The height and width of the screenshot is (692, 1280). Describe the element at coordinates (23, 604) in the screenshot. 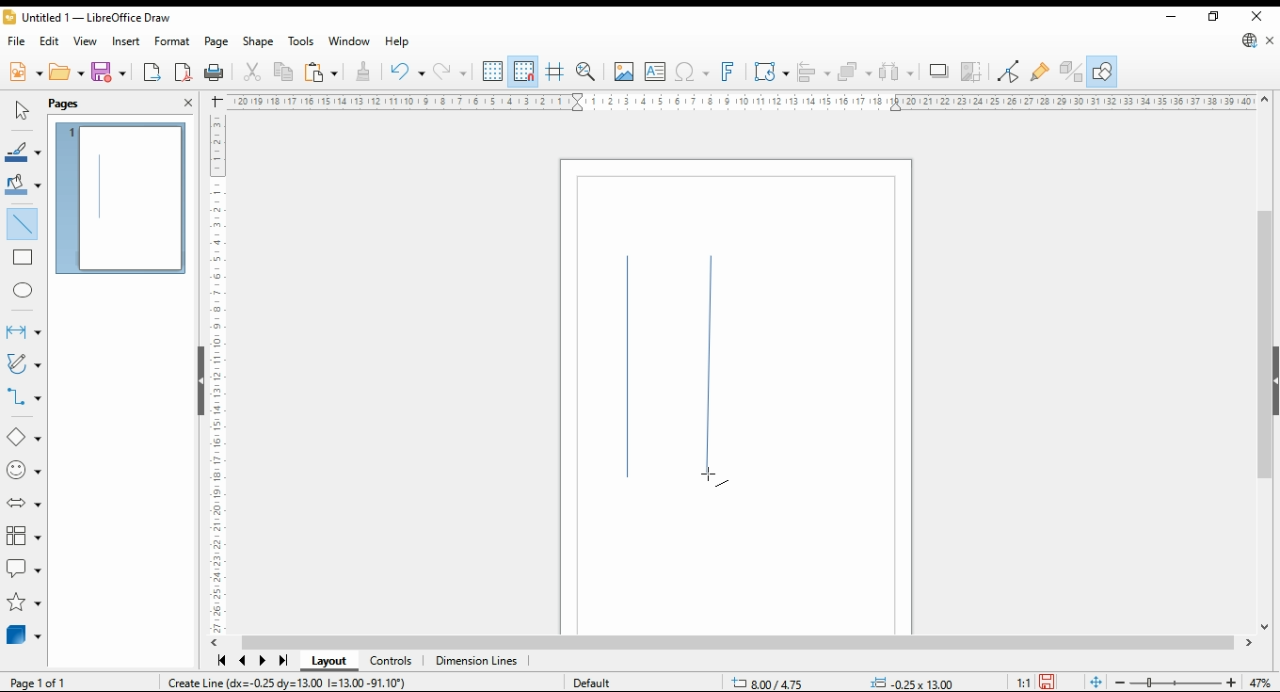

I see `stars and banners` at that location.